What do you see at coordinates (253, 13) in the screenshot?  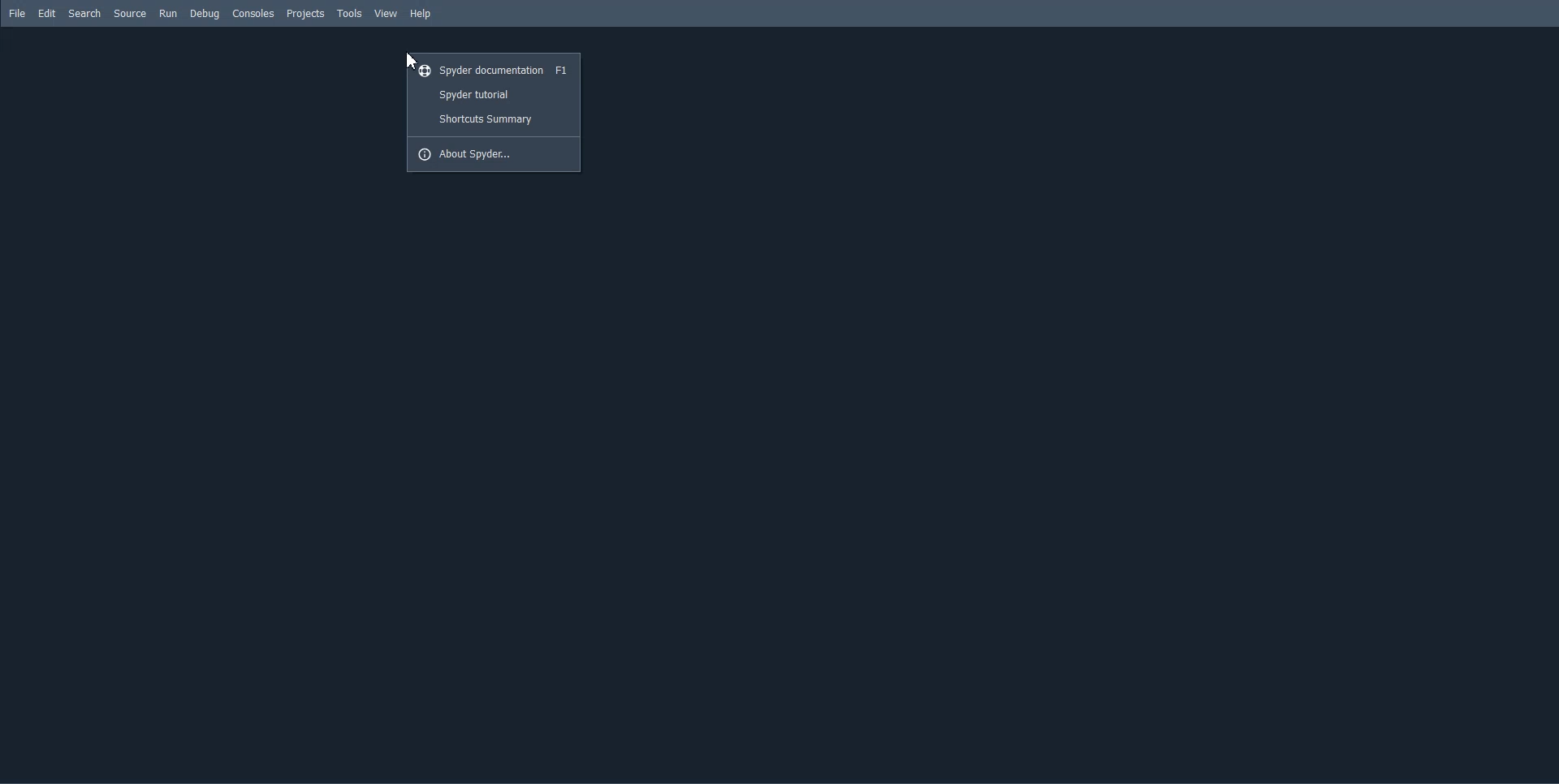 I see `Consoles` at bounding box center [253, 13].